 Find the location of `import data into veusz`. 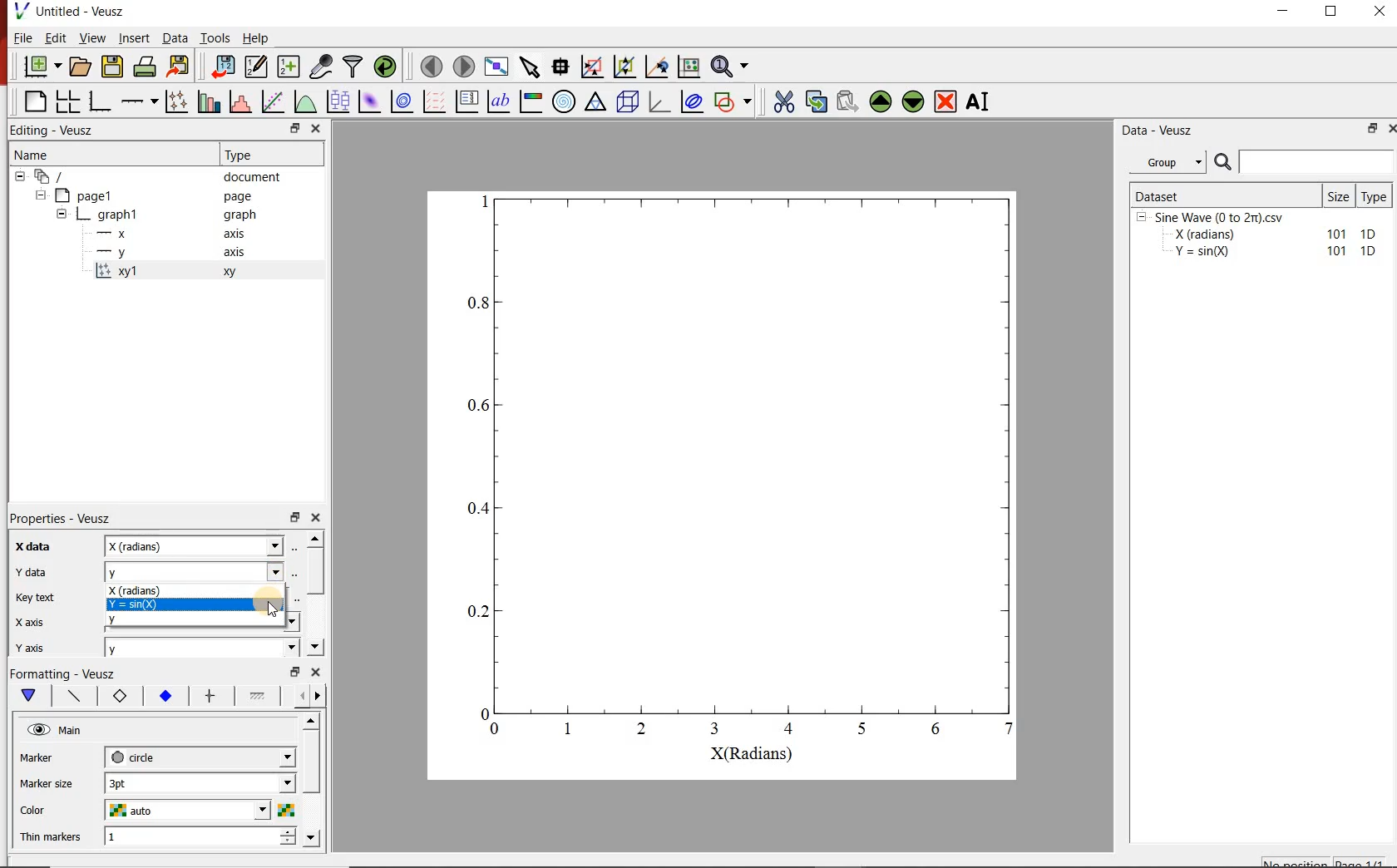

import data into veusz is located at coordinates (221, 66).